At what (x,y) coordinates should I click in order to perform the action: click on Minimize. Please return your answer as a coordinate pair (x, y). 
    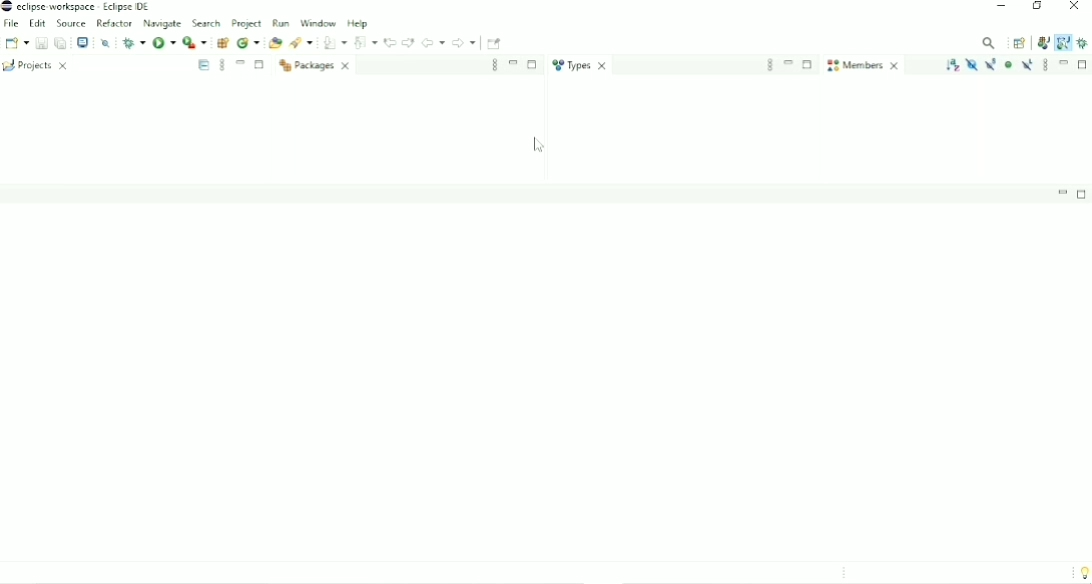
    Looking at the image, I should click on (1063, 192).